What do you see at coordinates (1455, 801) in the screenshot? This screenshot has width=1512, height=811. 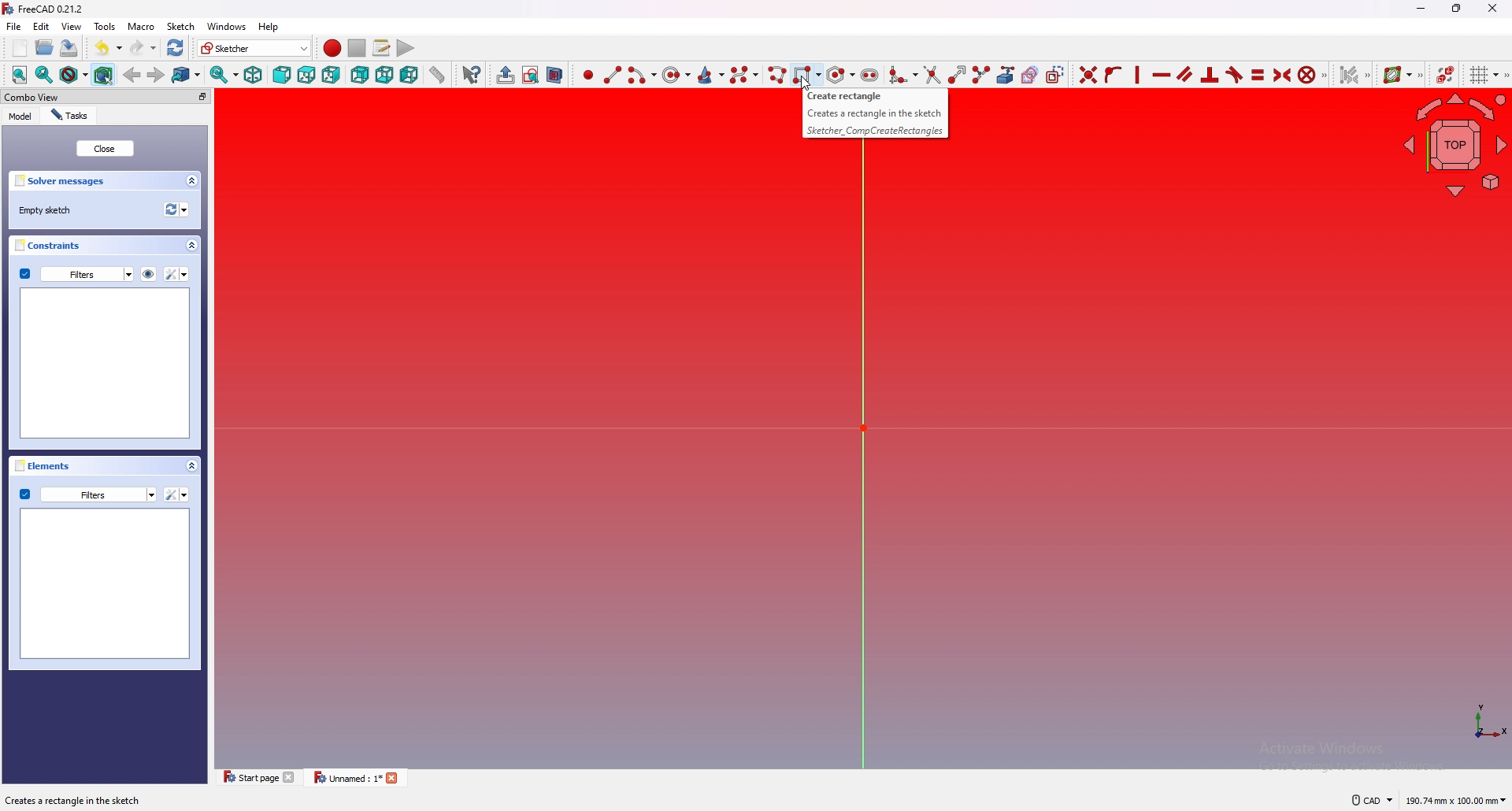 I see `dimensions` at bounding box center [1455, 801].